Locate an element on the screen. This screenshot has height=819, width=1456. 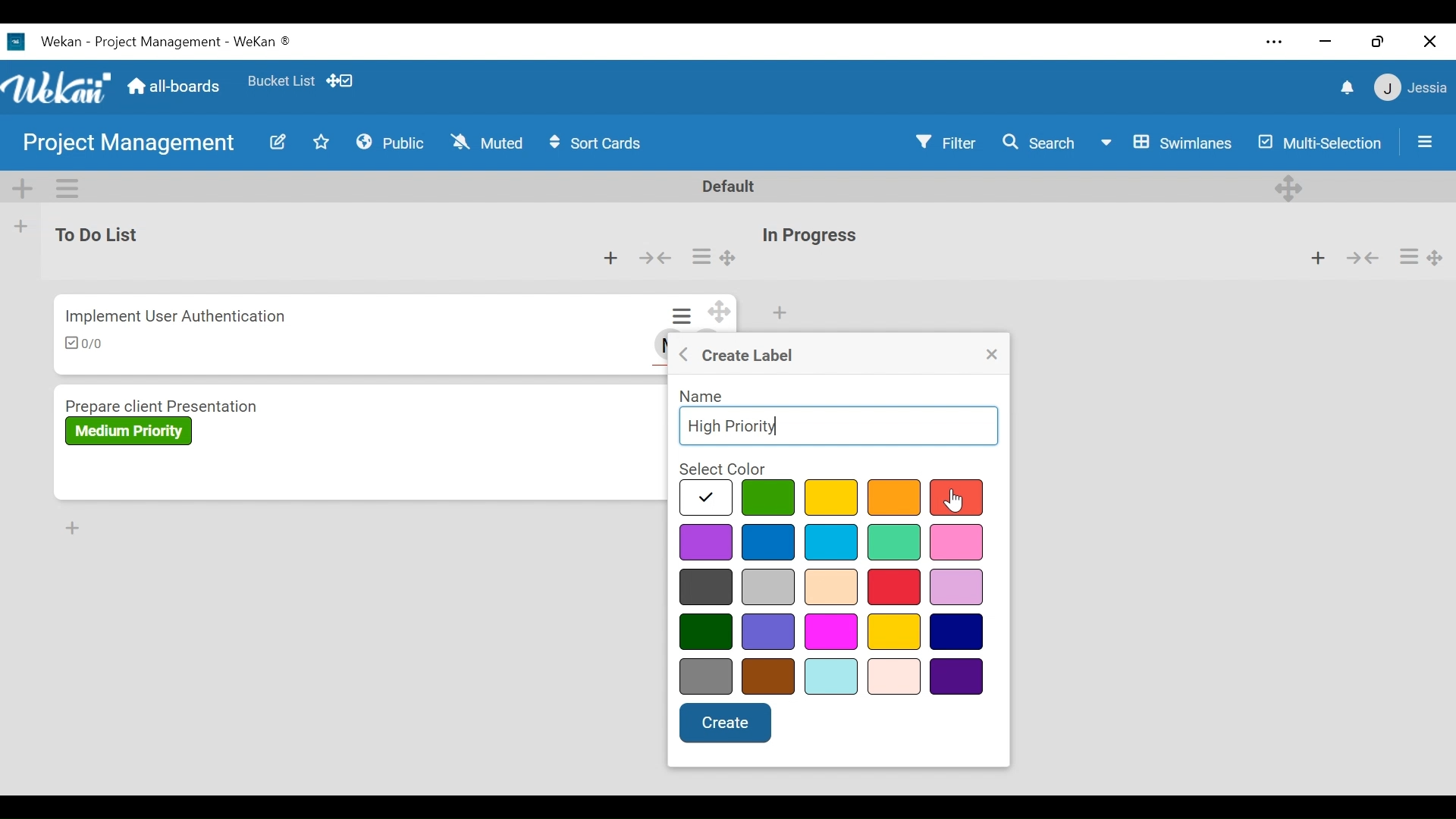
Open/Close Sidebar is located at coordinates (1423, 140).